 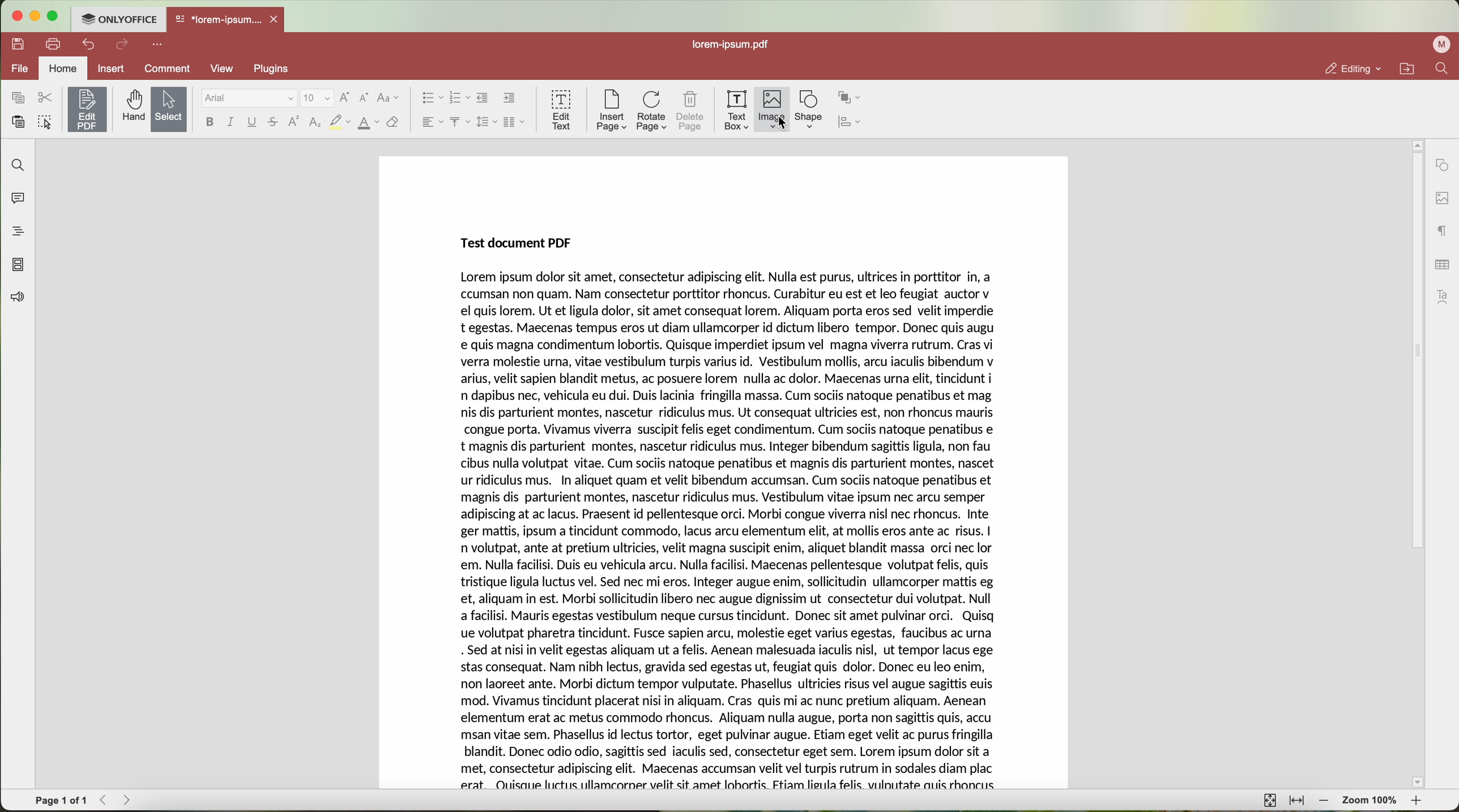 I want to click on text art settings, so click(x=1445, y=297).